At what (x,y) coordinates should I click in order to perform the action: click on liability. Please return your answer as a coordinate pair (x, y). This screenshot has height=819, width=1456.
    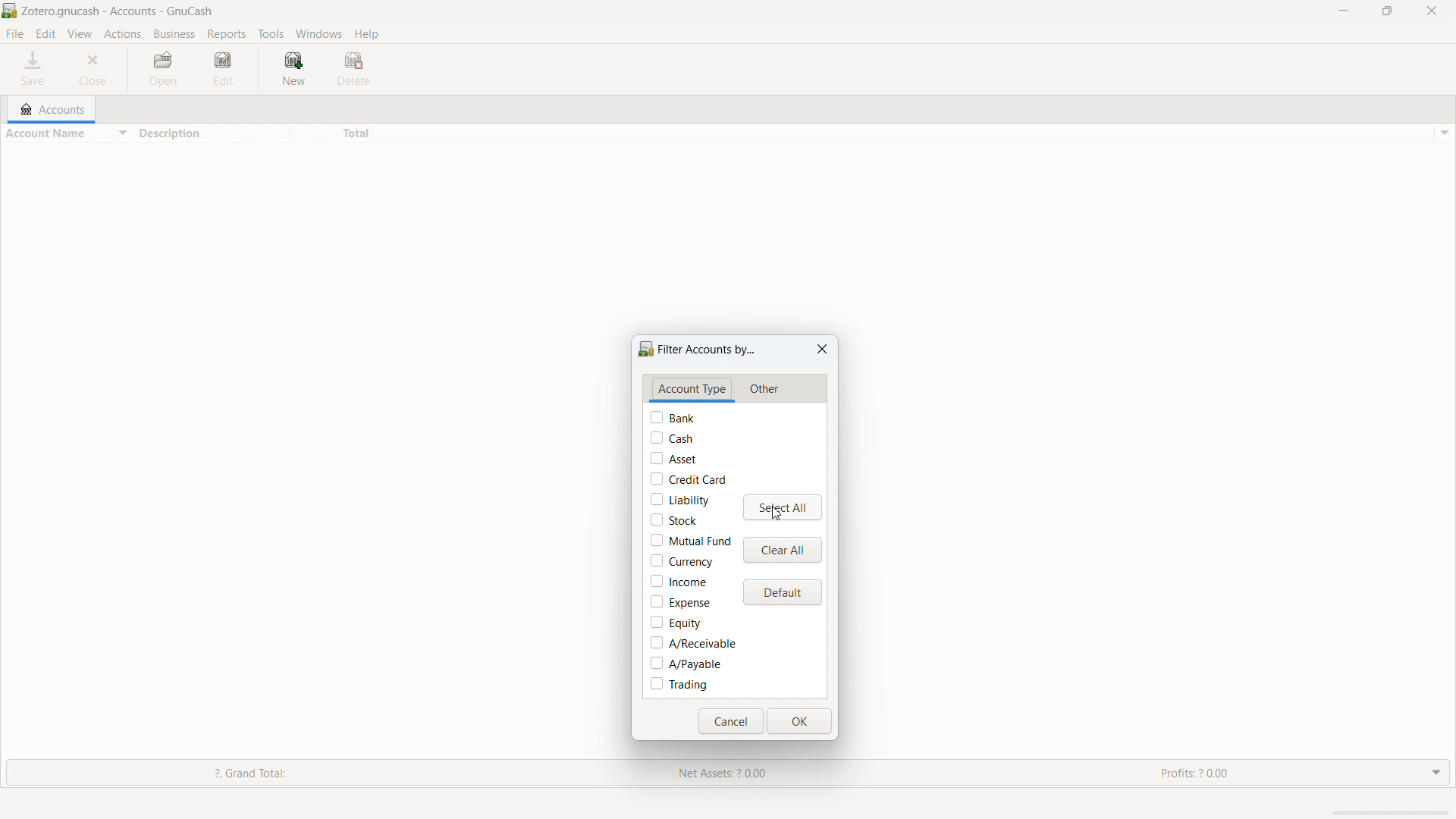
    Looking at the image, I should click on (680, 498).